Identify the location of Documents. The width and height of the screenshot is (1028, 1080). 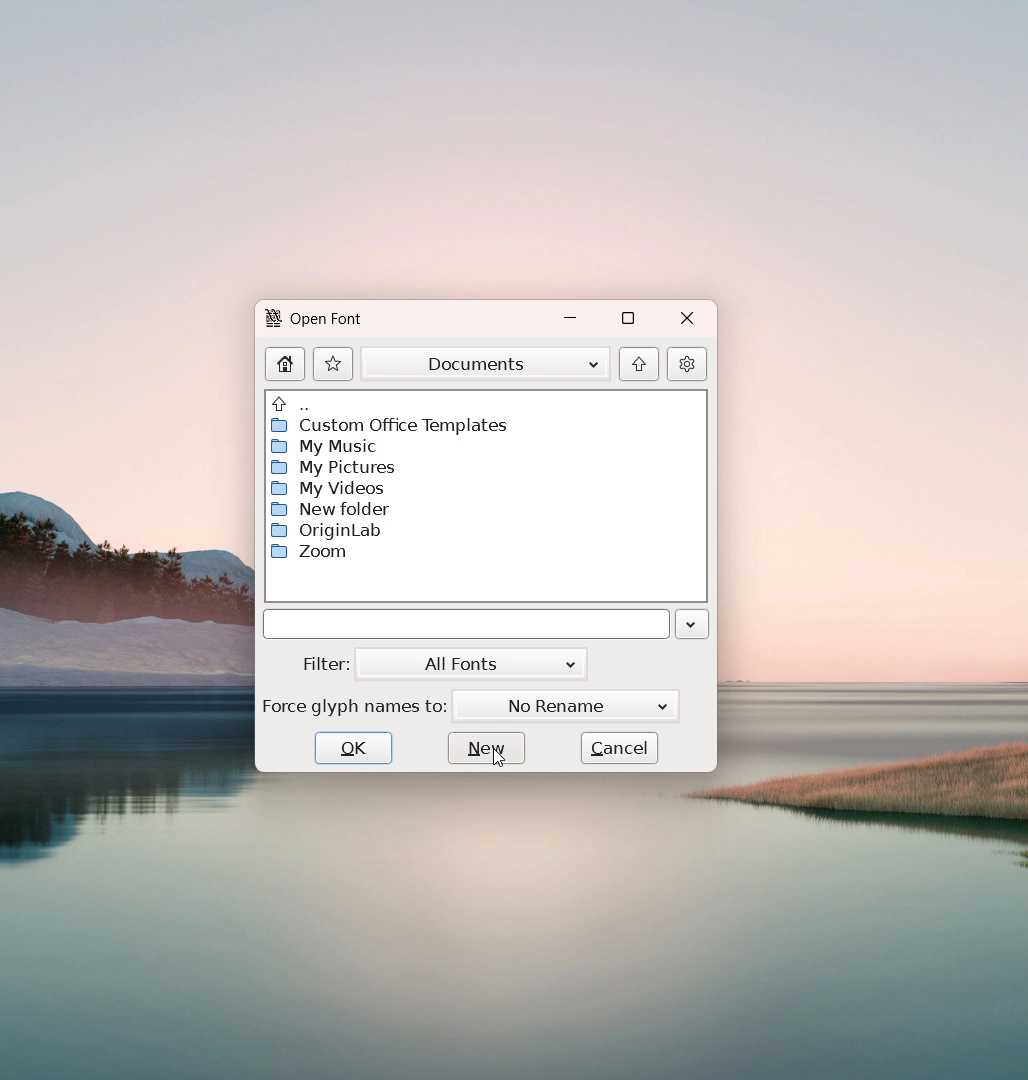
(486, 363).